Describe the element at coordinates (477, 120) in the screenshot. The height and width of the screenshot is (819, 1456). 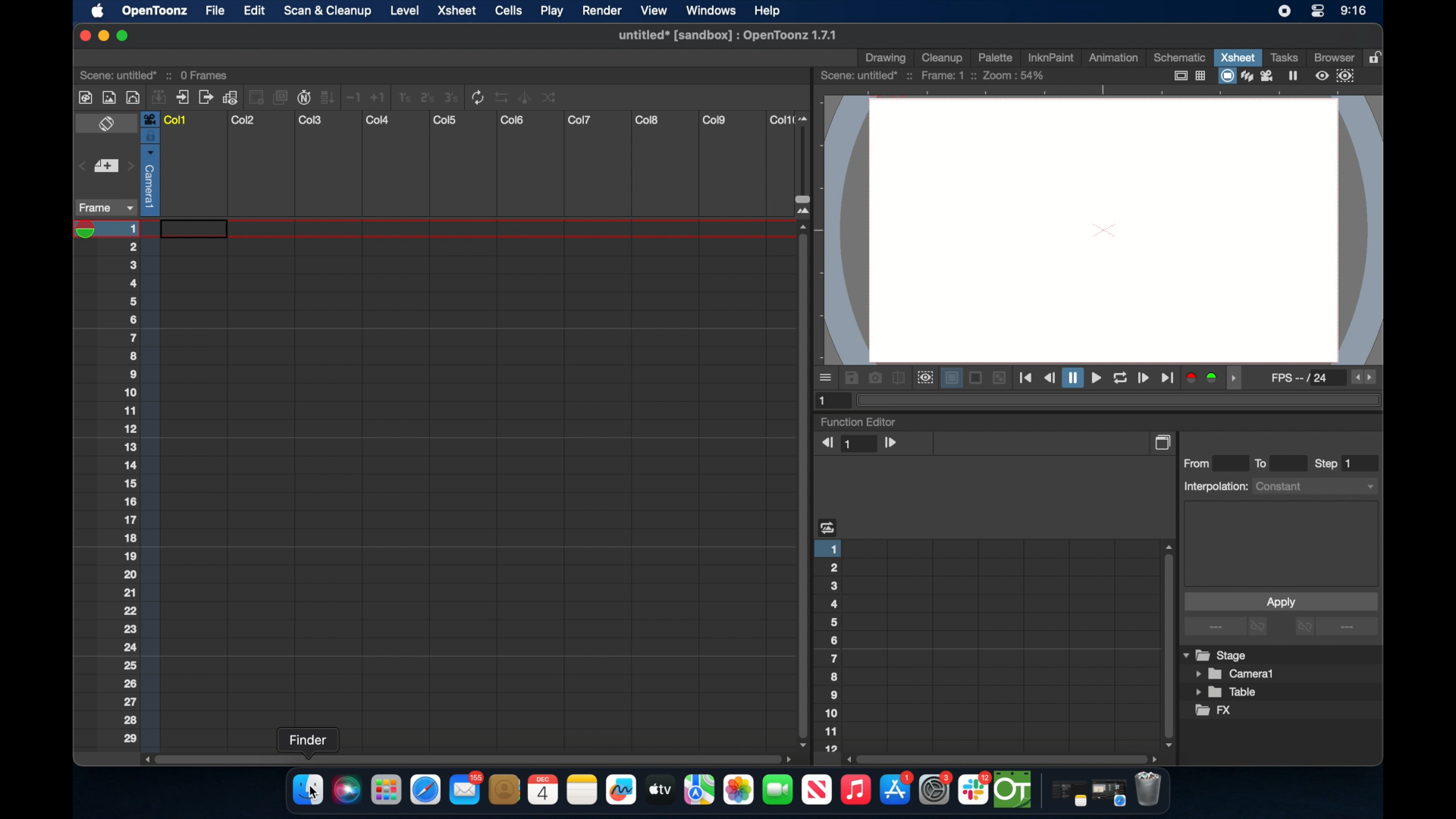
I see `columns` at that location.